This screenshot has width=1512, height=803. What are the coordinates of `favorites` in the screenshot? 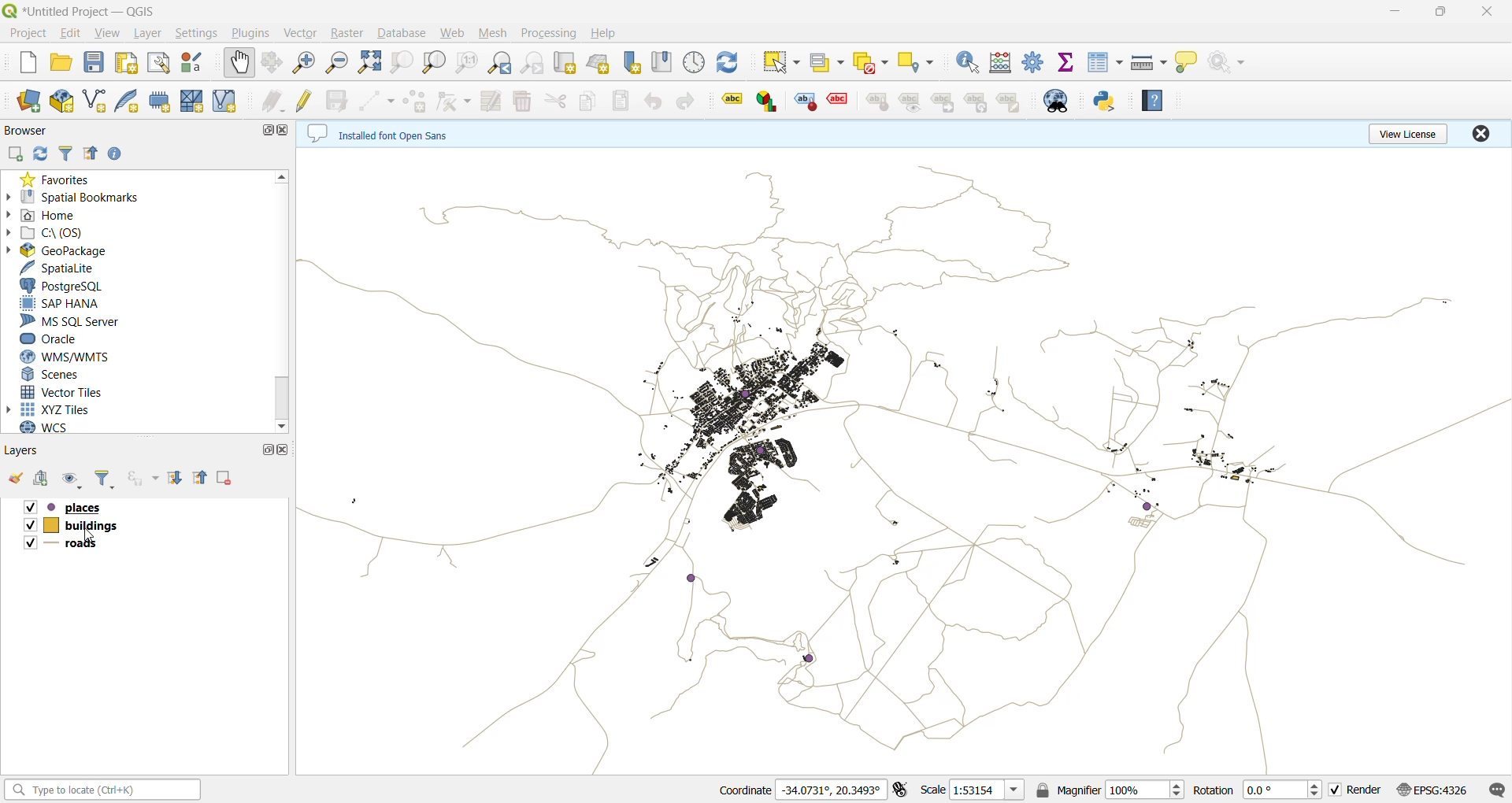 It's located at (57, 179).